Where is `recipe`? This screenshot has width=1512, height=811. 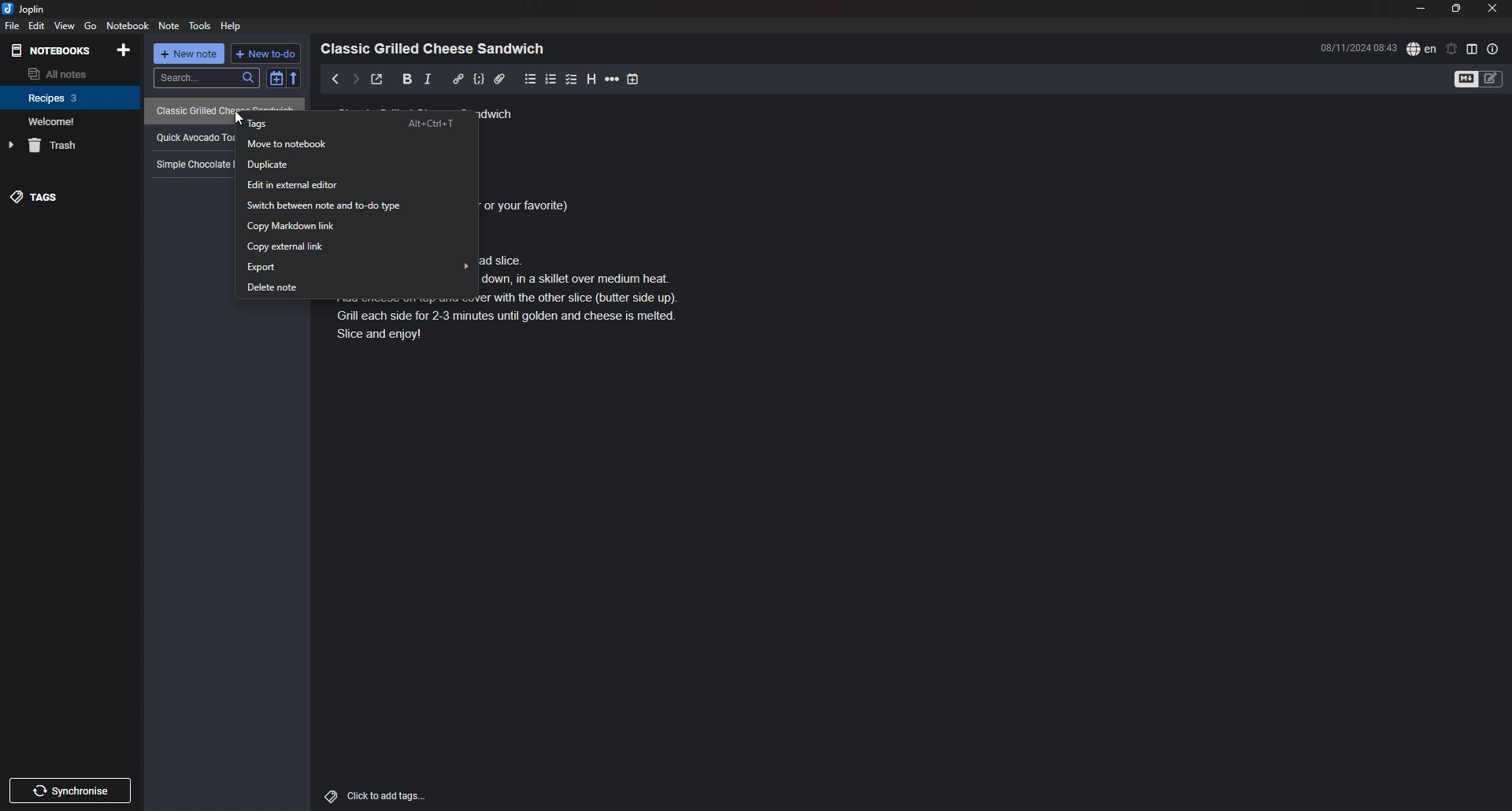 recipe is located at coordinates (193, 136).